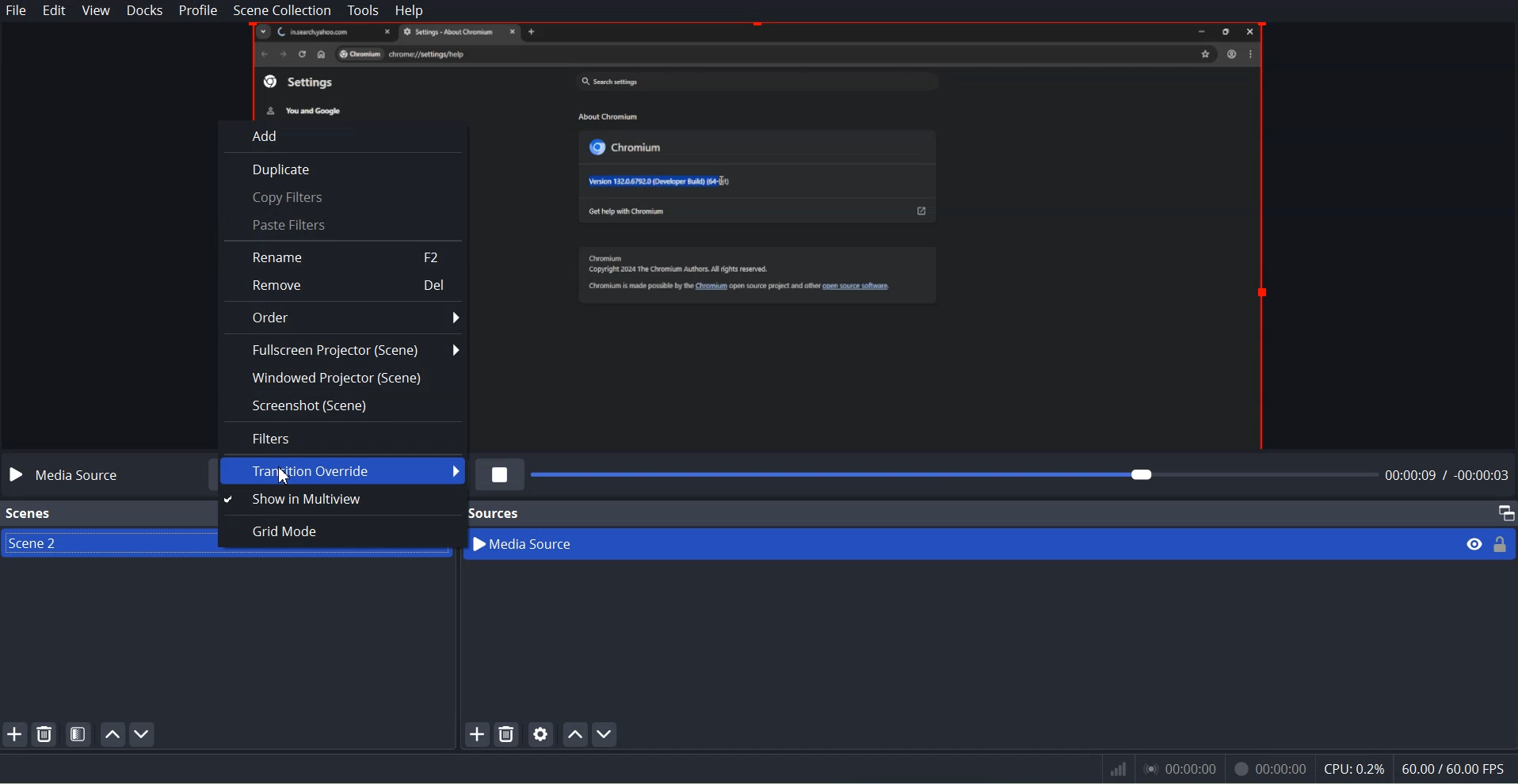  I want to click on Grid Mode, so click(337, 531).